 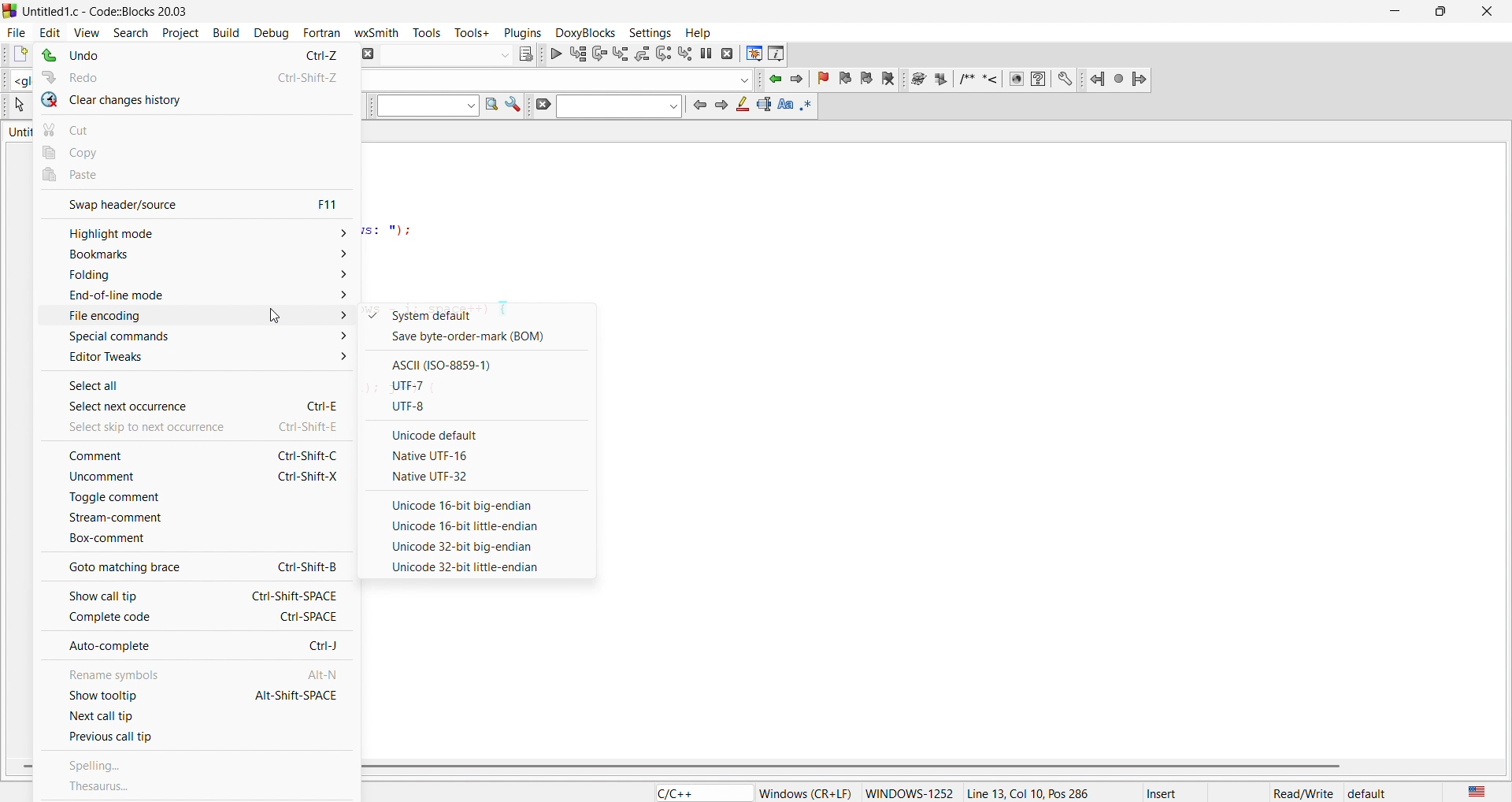 What do you see at coordinates (191, 480) in the screenshot?
I see `uncomment` at bounding box center [191, 480].